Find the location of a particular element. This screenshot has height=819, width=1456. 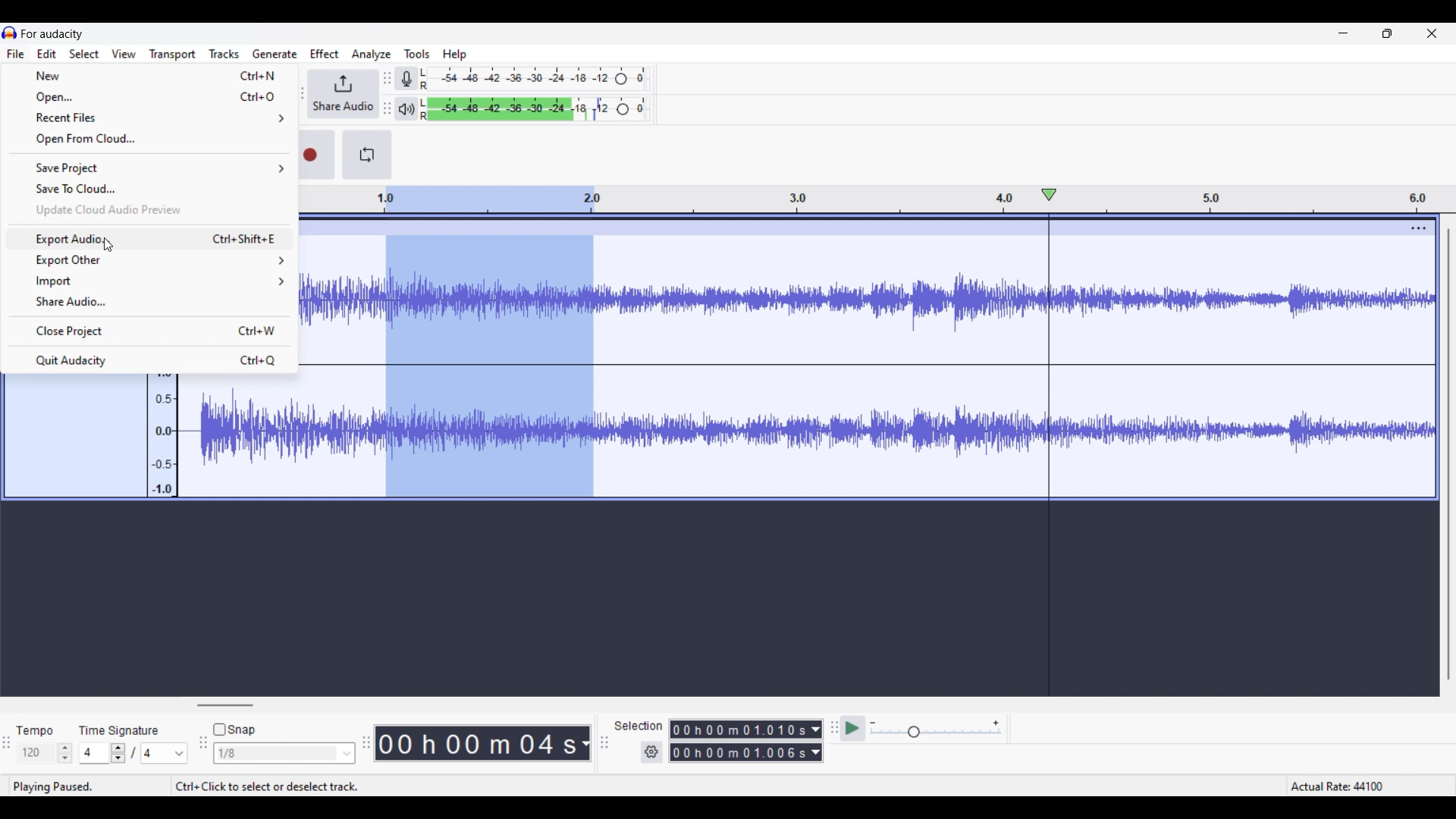

New is located at coordinates (148, 75).